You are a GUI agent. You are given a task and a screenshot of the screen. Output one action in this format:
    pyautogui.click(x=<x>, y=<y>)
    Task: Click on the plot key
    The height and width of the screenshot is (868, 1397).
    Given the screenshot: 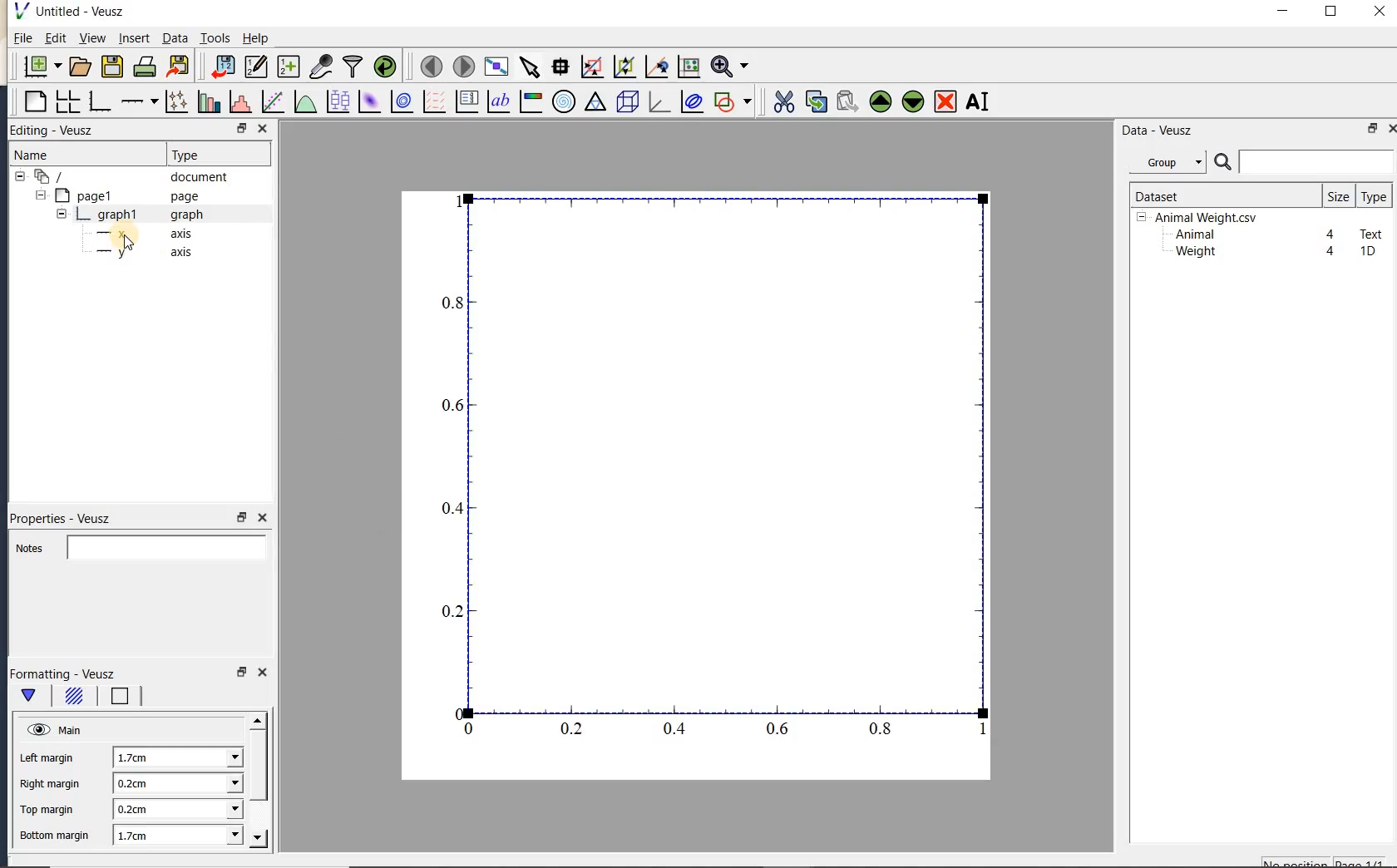 What is the action you would take?
    pyautogui.click(x=465, y=101)
    